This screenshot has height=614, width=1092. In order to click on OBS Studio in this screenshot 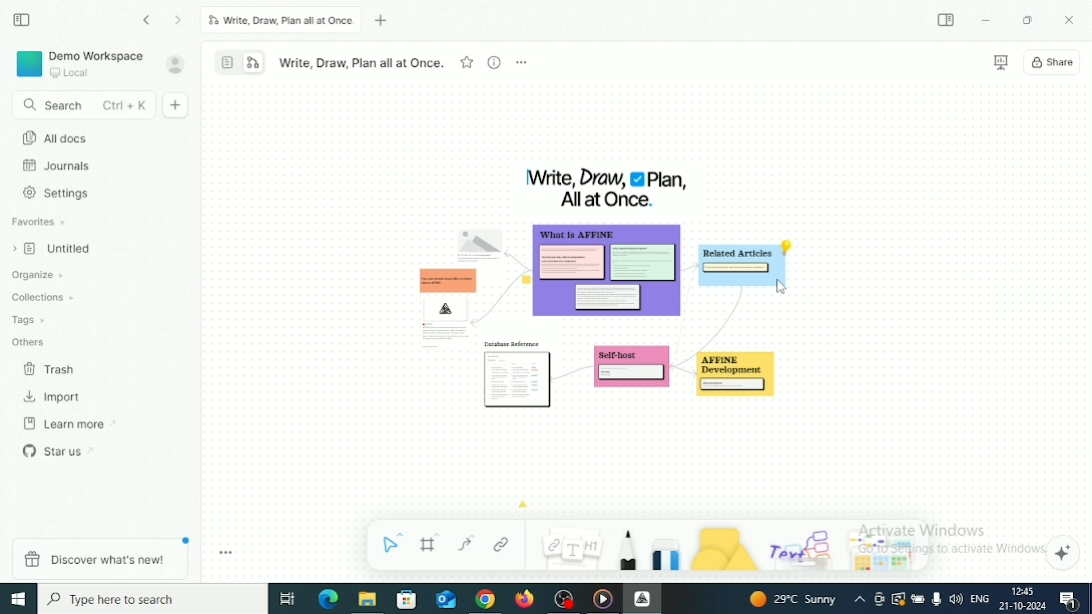, I will do `click(566, 599)`.